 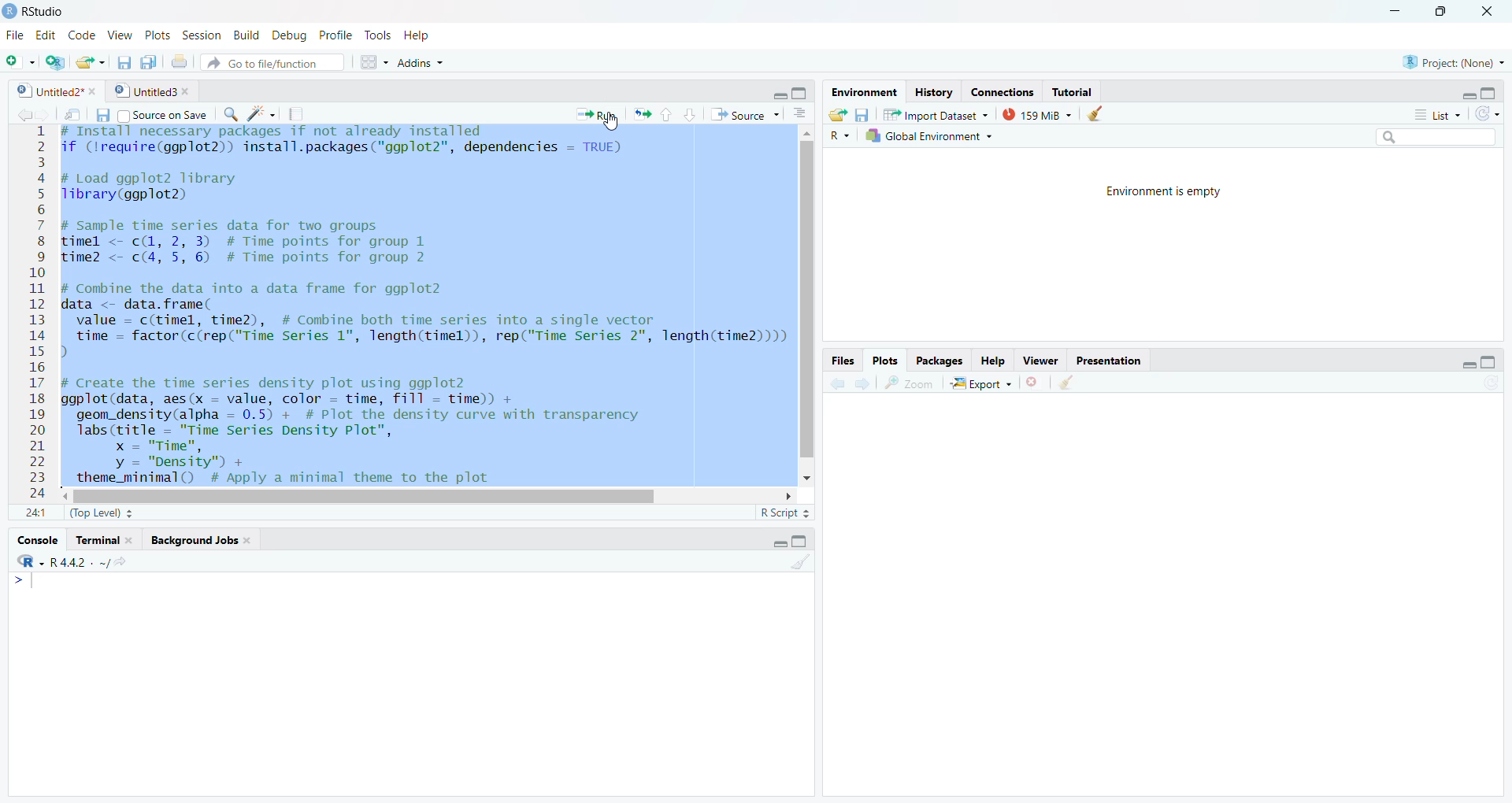 I want to click on Print, so click(x=179, y=62).